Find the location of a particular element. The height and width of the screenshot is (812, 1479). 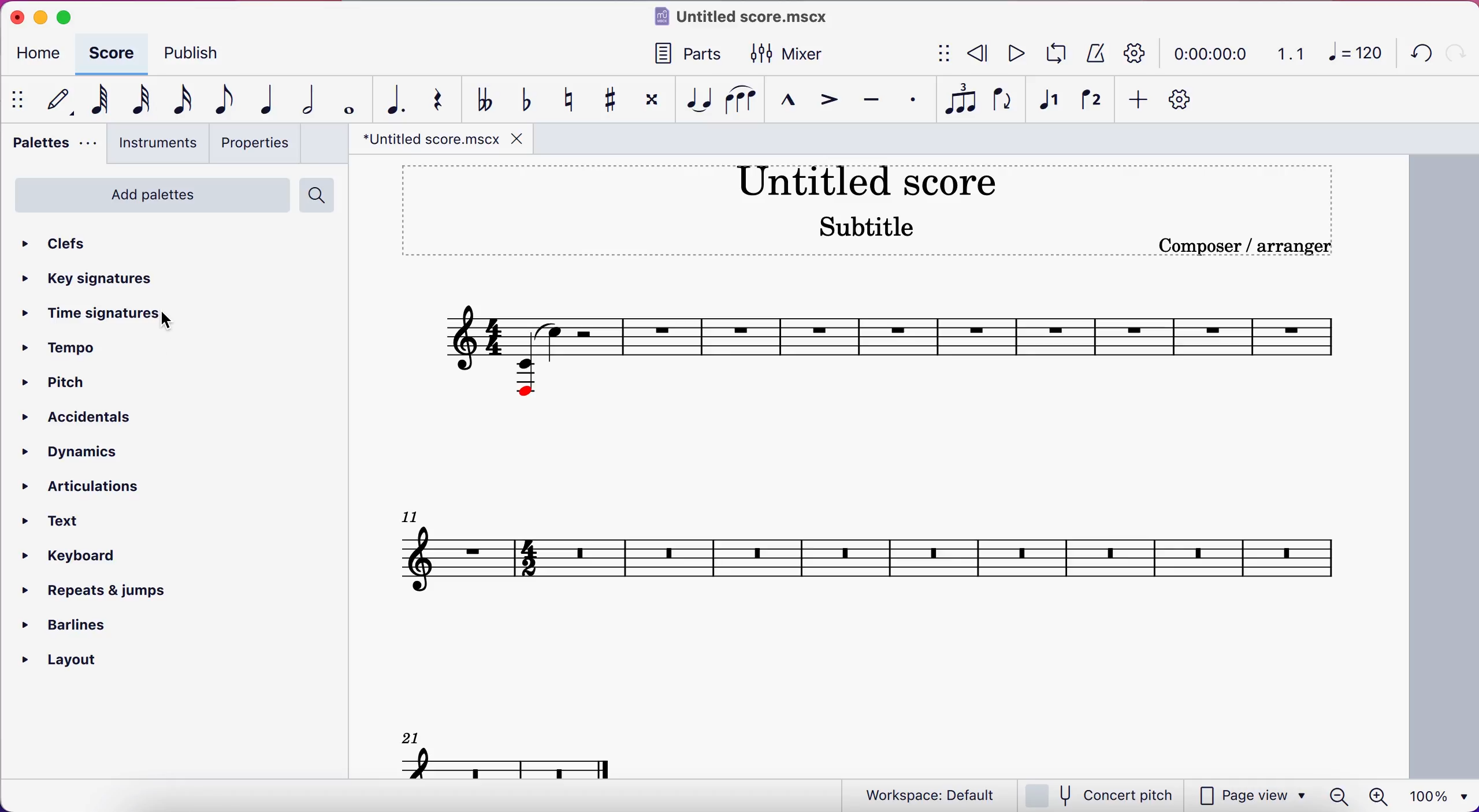

close is located at coordinates (13, 17).